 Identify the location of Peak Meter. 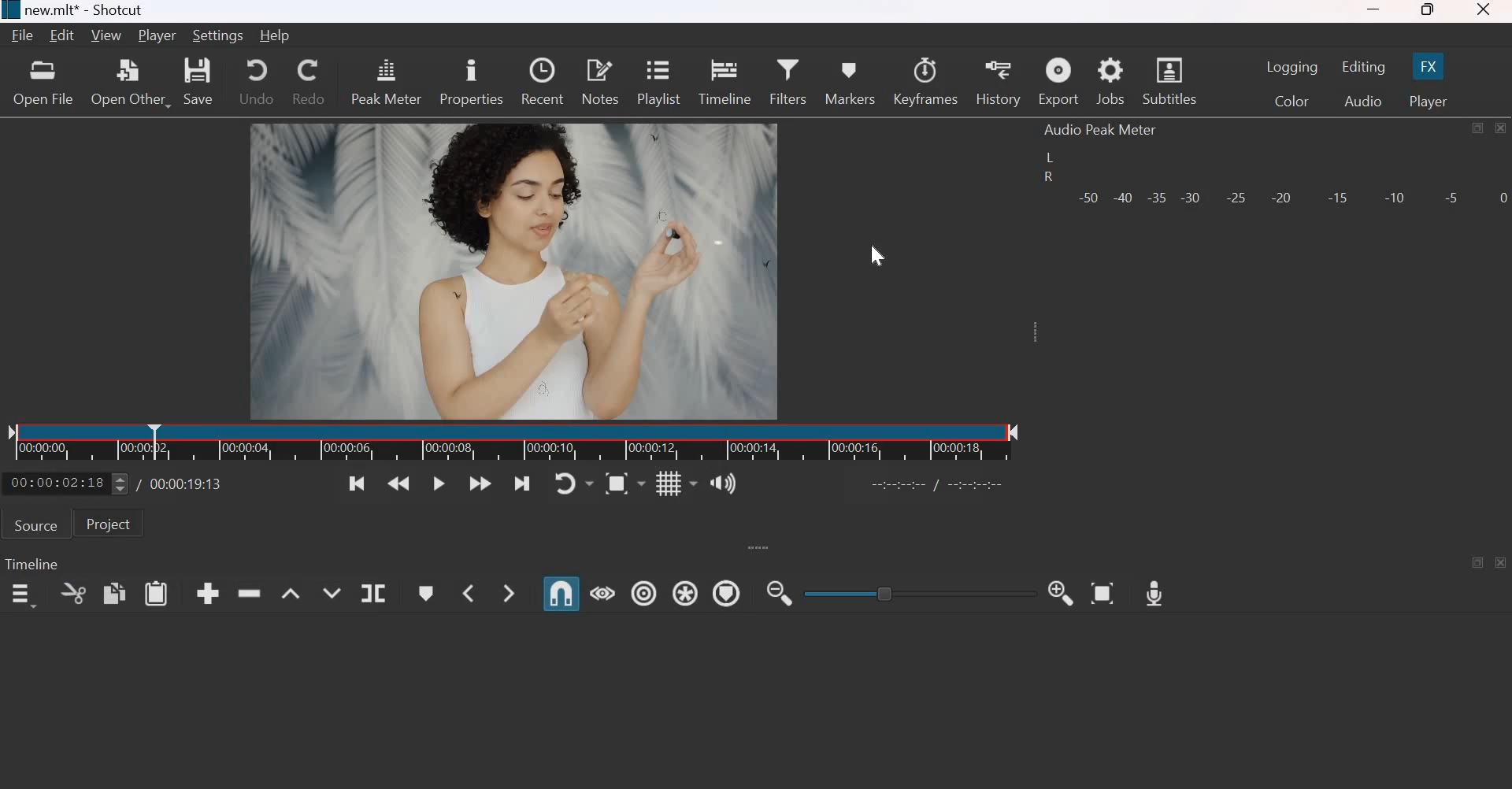
(387, 80).